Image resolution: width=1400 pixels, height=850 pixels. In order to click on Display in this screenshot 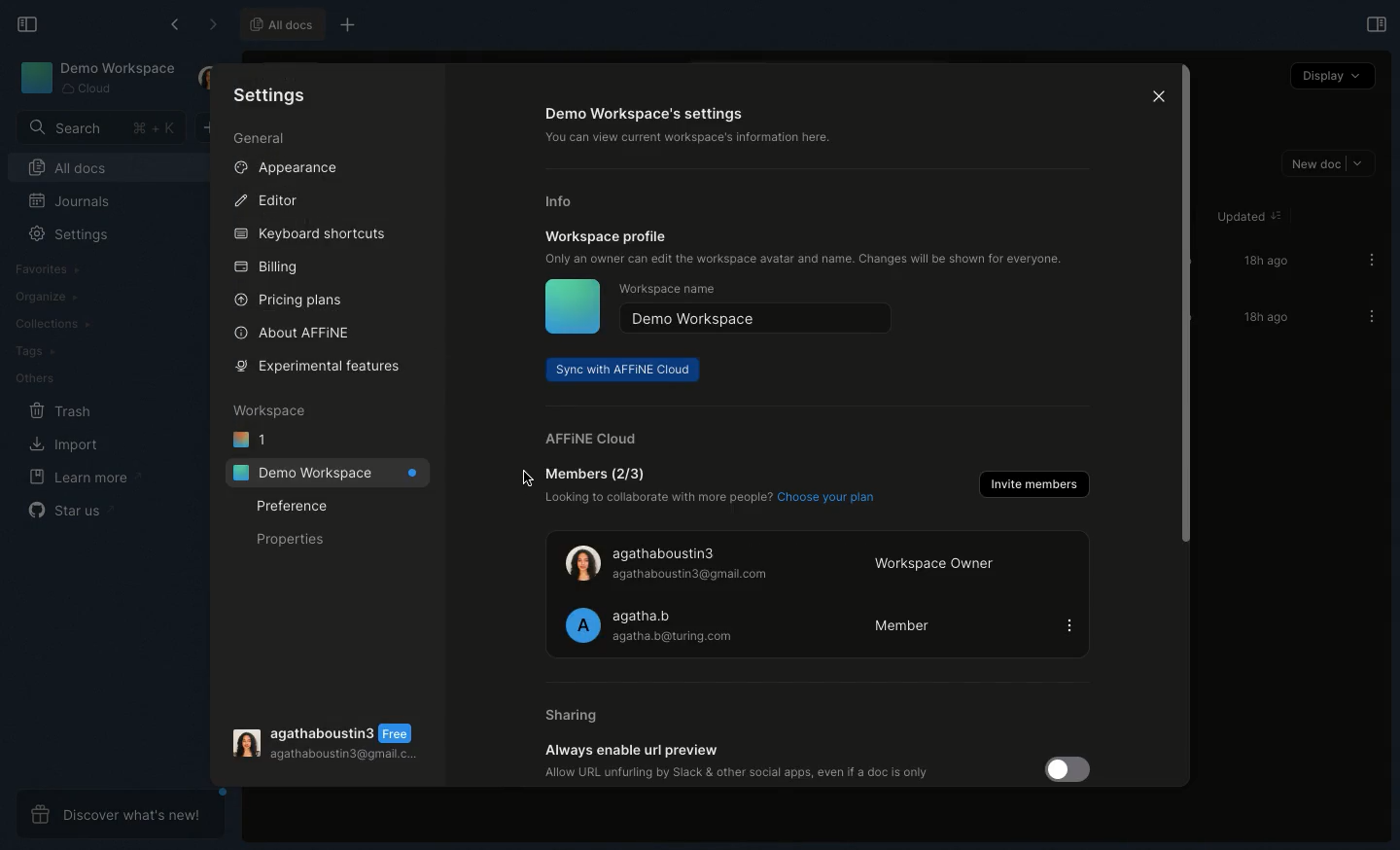, I will do `click(1331, 76)`.